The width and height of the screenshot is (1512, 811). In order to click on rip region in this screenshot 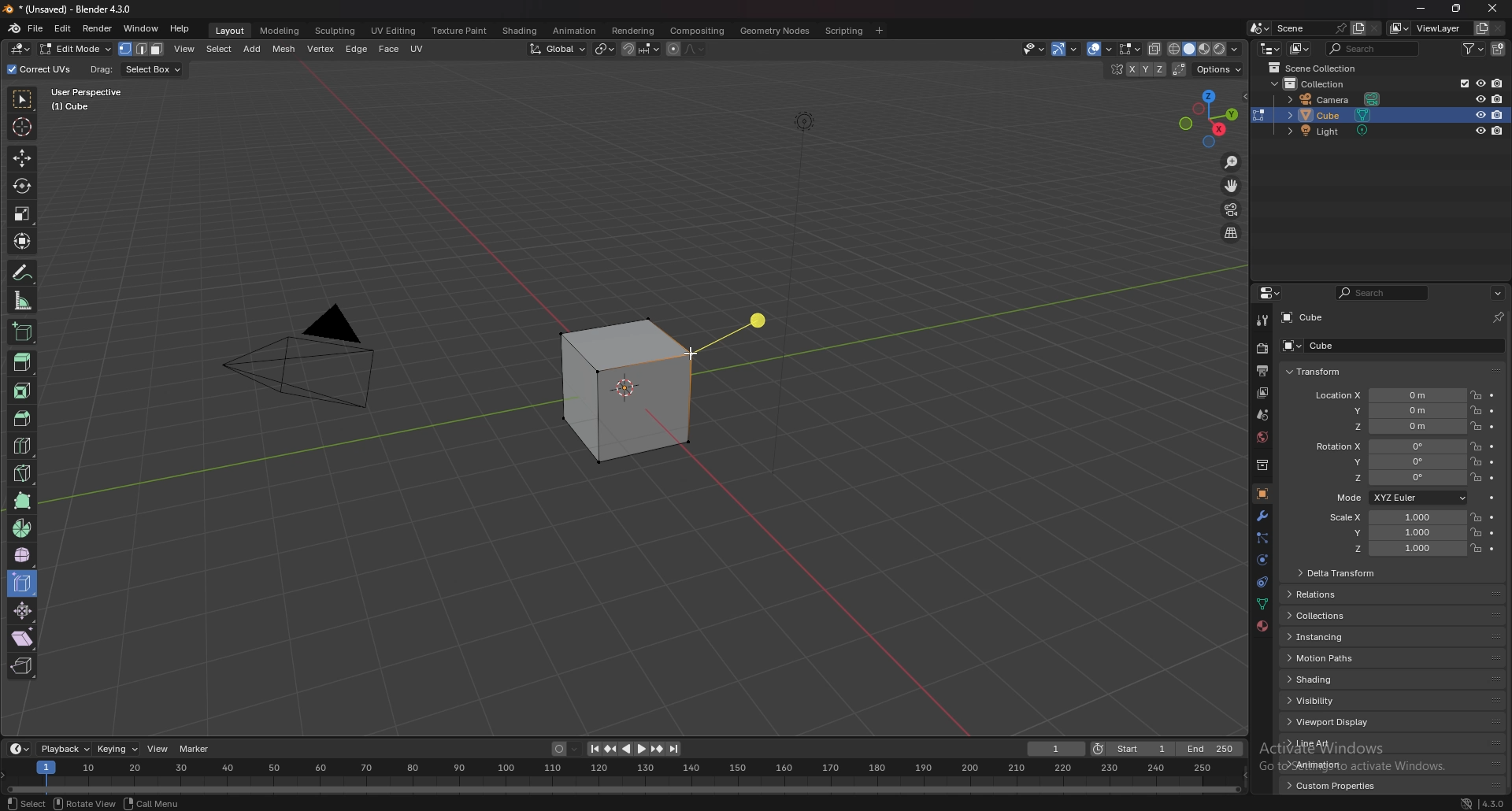, I will do `click(23, 665)`.